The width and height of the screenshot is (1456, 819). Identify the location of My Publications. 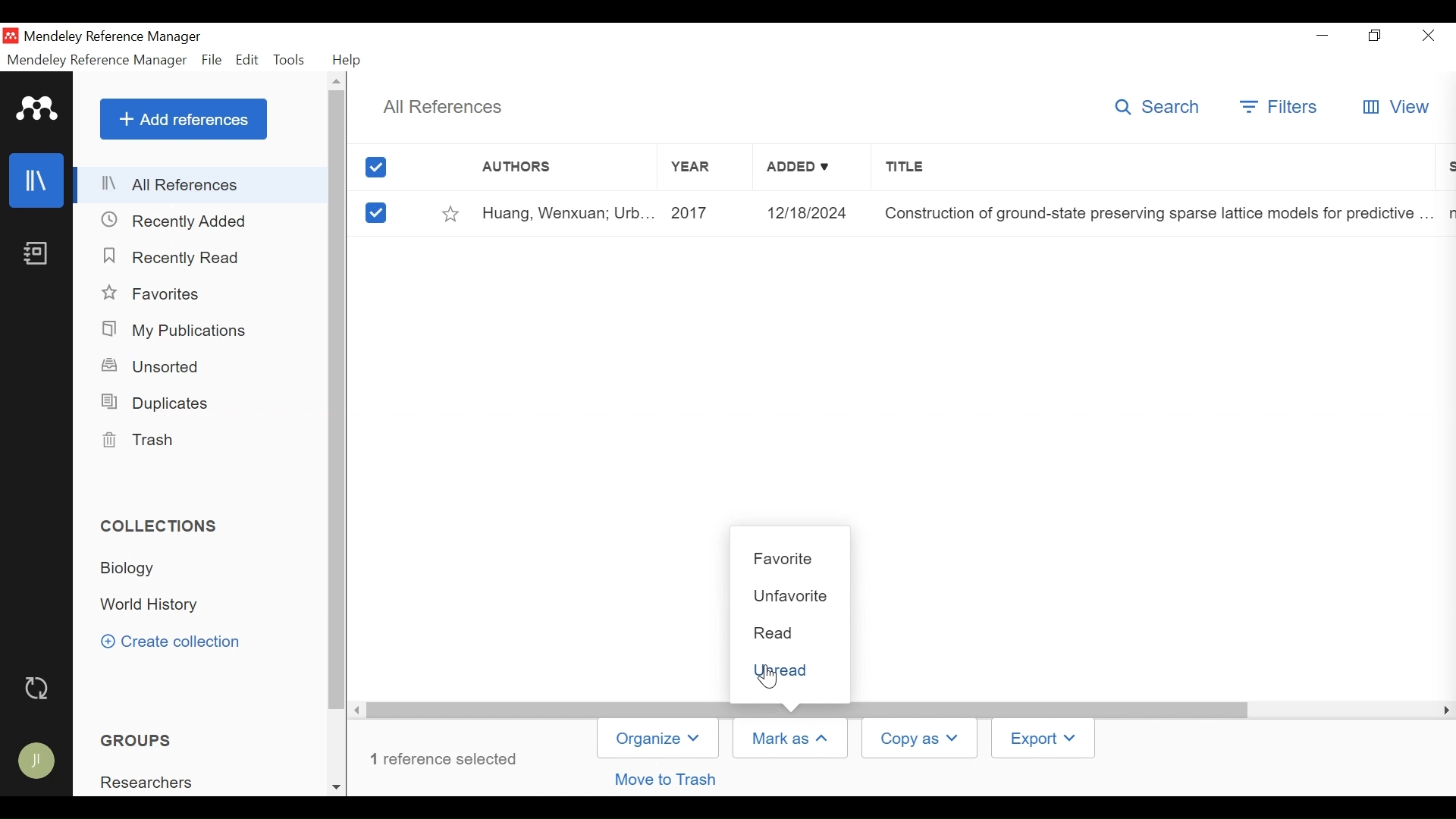
(178, 331).